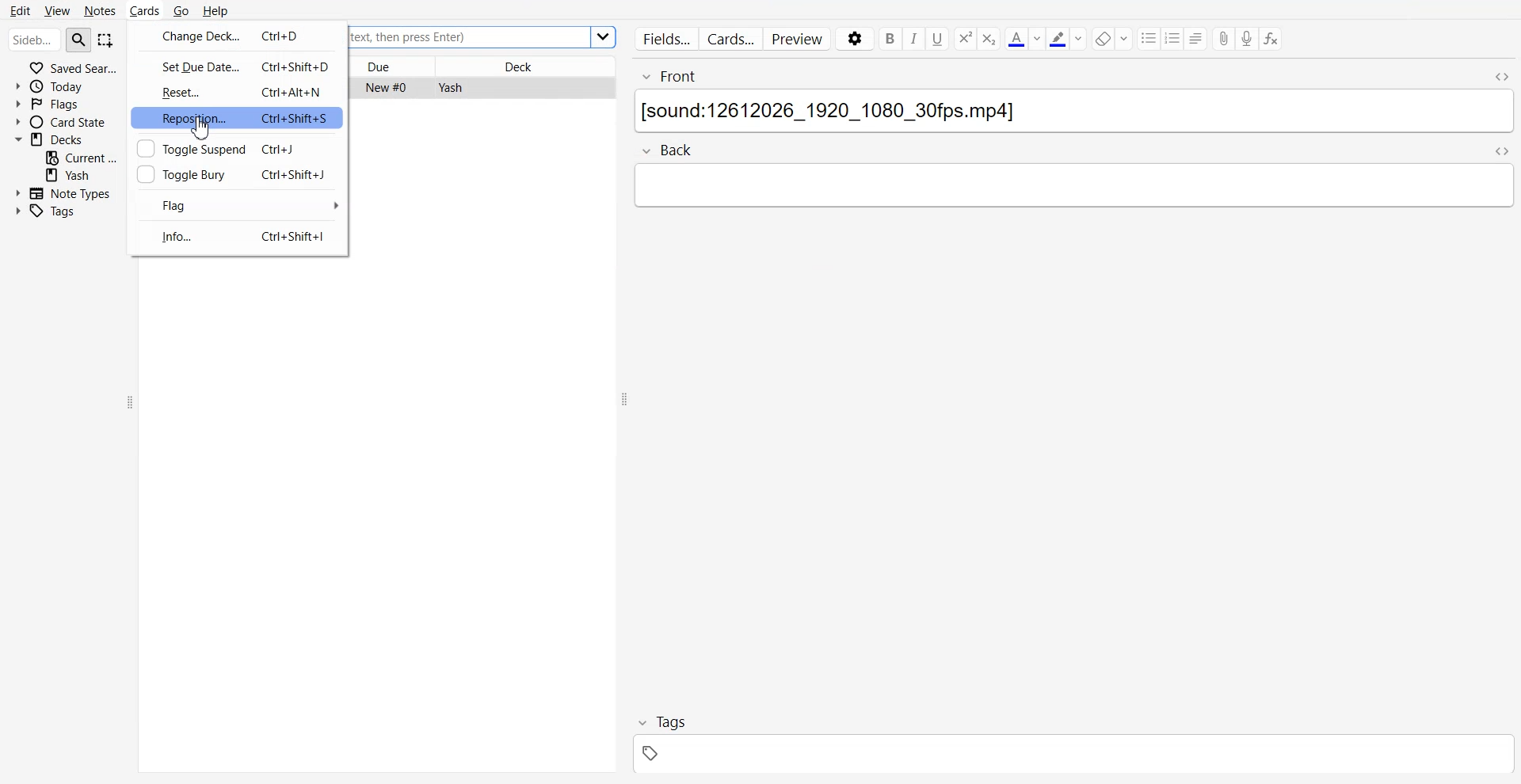  What do you see at coordinates (181, 118) in the screenshot?
I see `Reposition` at bounding box center [181, 118].